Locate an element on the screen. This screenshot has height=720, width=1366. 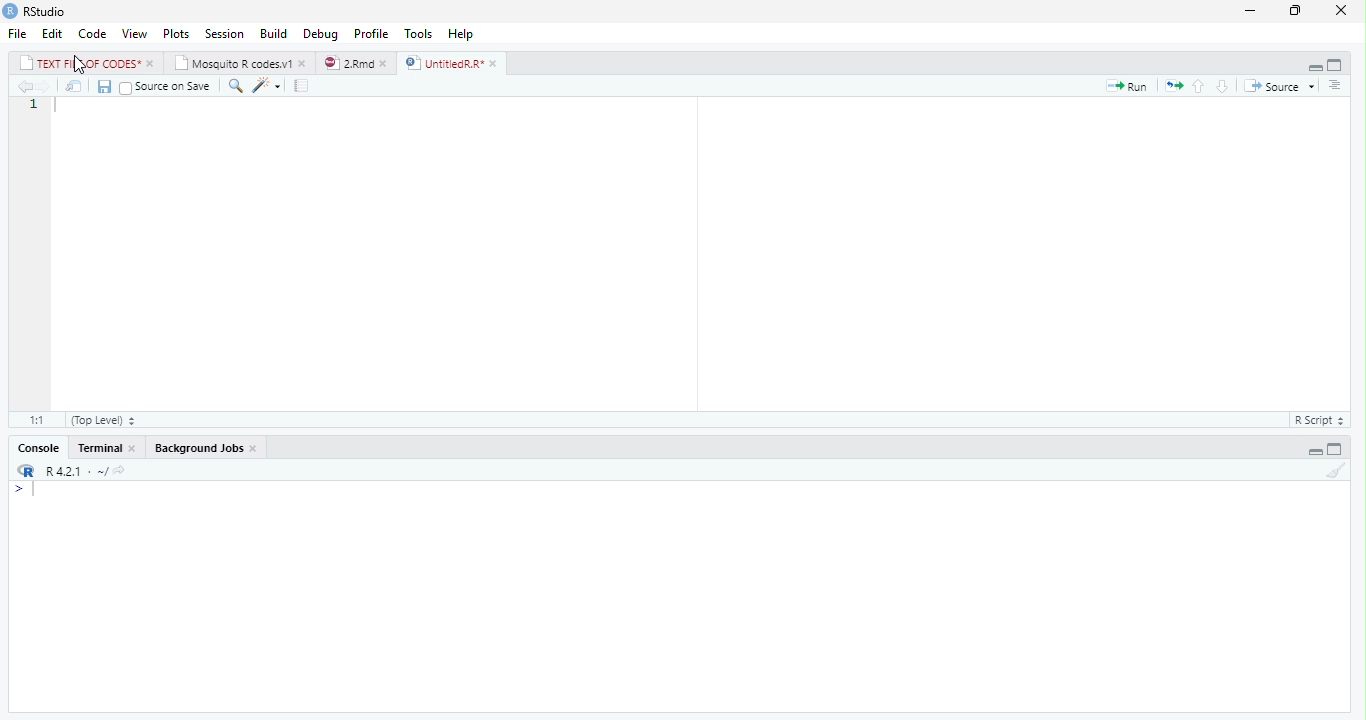
Outline is located at coordinates (1335, 86).